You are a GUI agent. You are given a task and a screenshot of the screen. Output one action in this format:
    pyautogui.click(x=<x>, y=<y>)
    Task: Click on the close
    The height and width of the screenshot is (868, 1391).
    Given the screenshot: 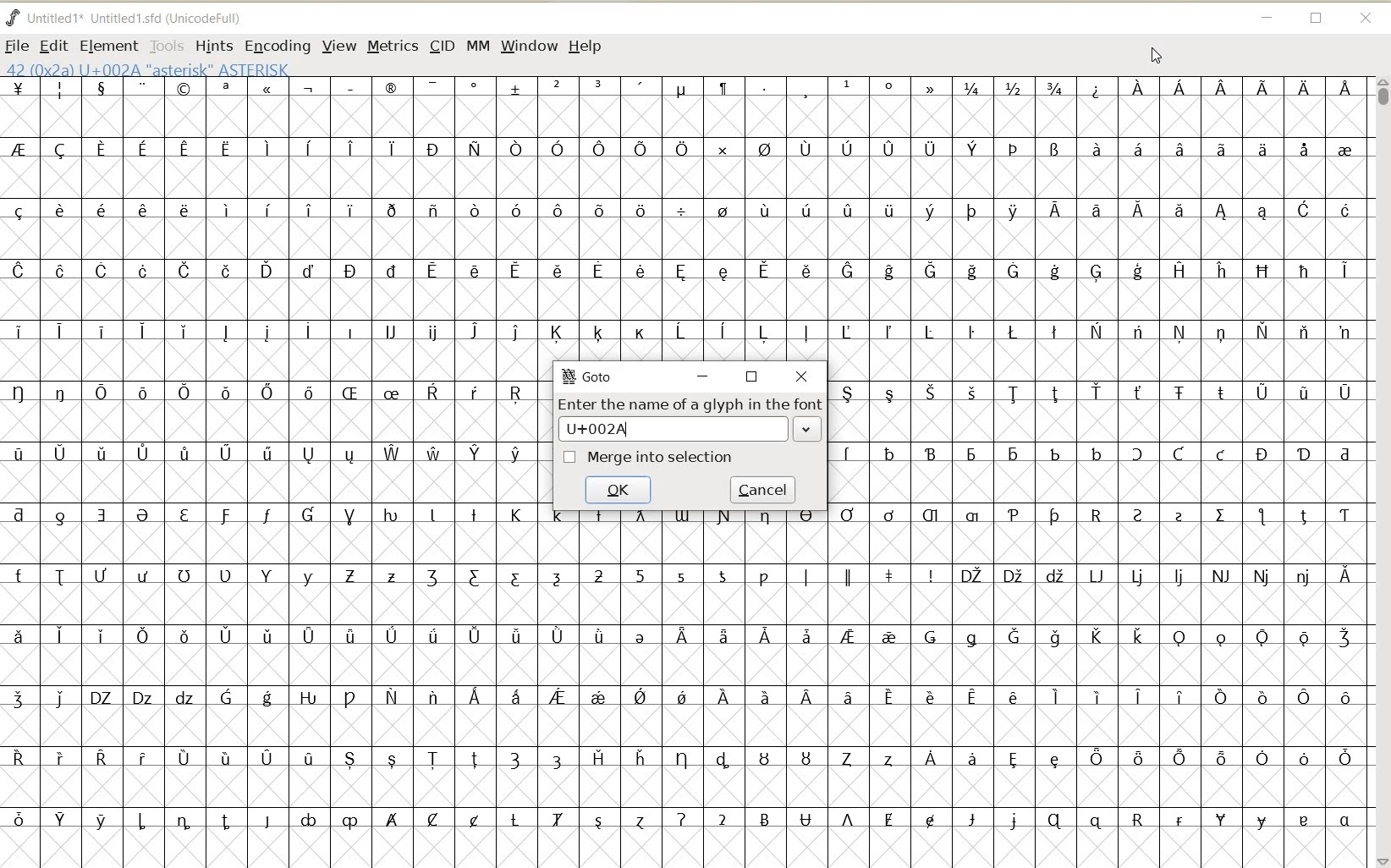 What is the action you would take?
    pyautogui.click(x=801, y=376)
    